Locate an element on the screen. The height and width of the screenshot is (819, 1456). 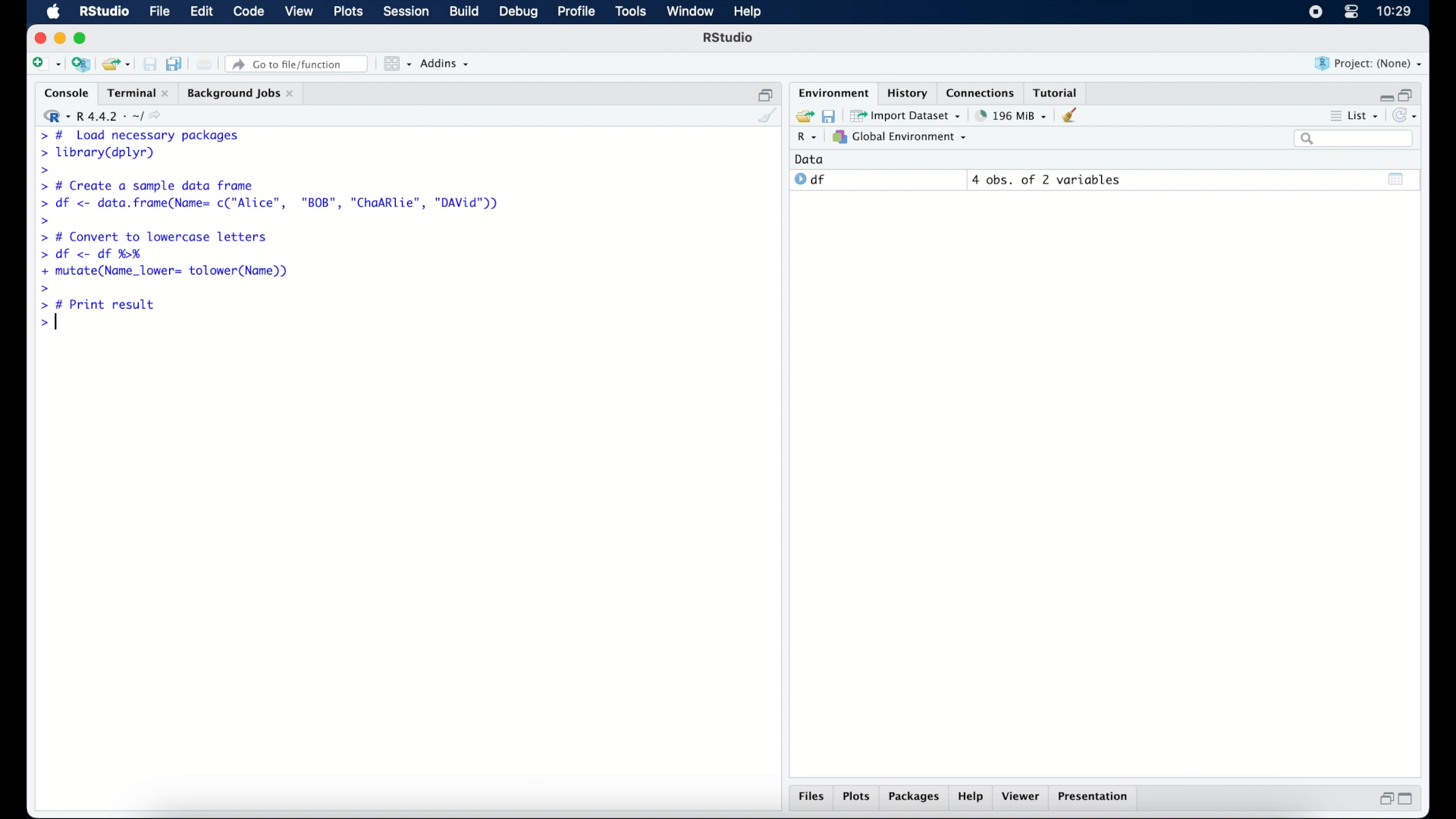
10.27 is located at coordinates (1394, 11).